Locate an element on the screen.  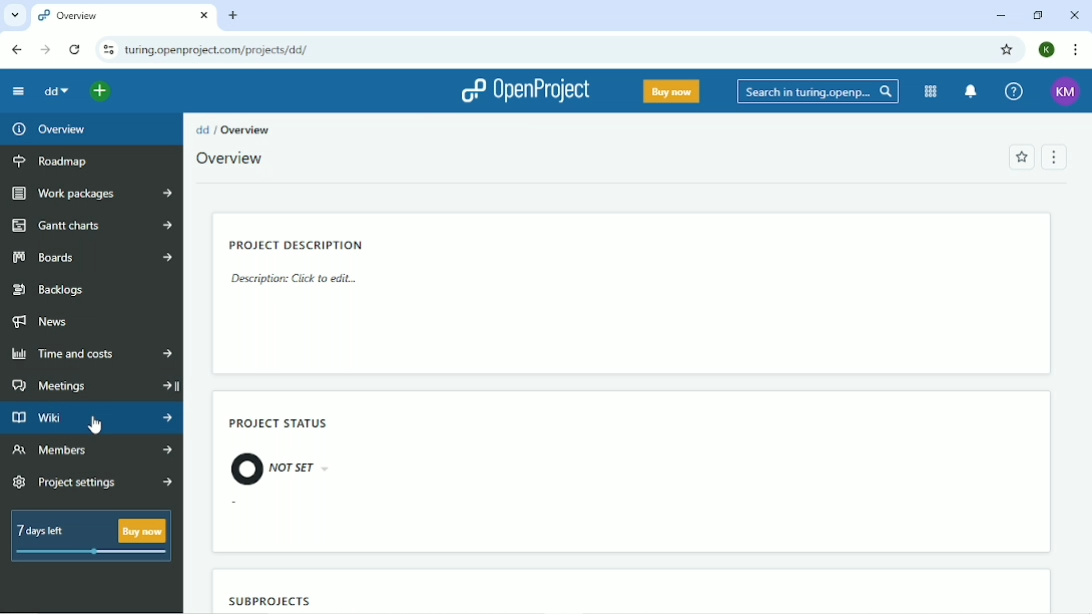
Project settings is located at coordinates (88, 481).